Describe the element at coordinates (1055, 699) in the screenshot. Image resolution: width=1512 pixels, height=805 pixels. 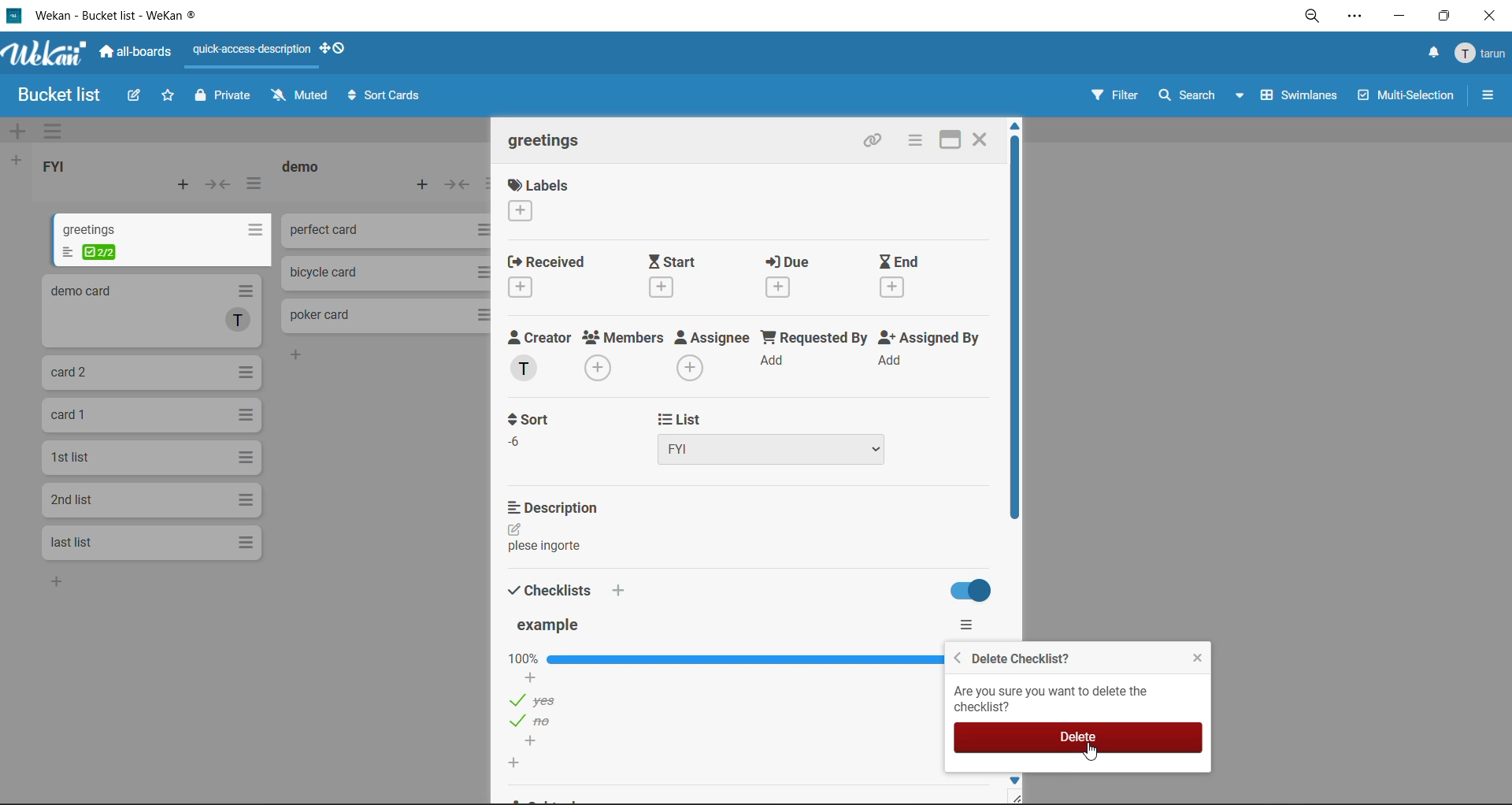
I see `metadata` at that location.